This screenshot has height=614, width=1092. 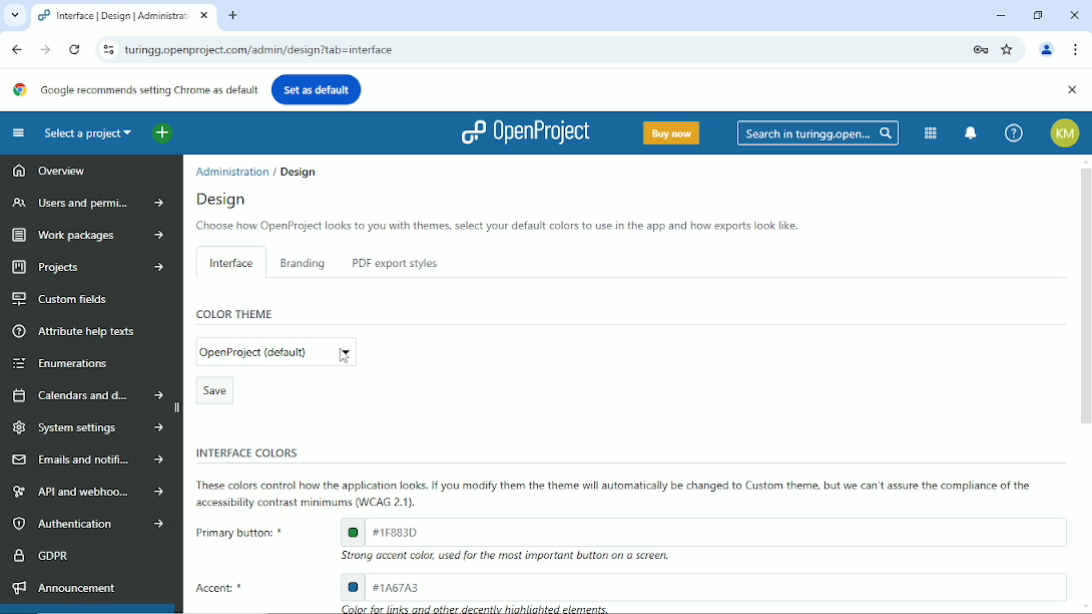 What do you see at coordinates (297, 170) in the screenshot?
I see `Design` at bounding box center [297, 170].